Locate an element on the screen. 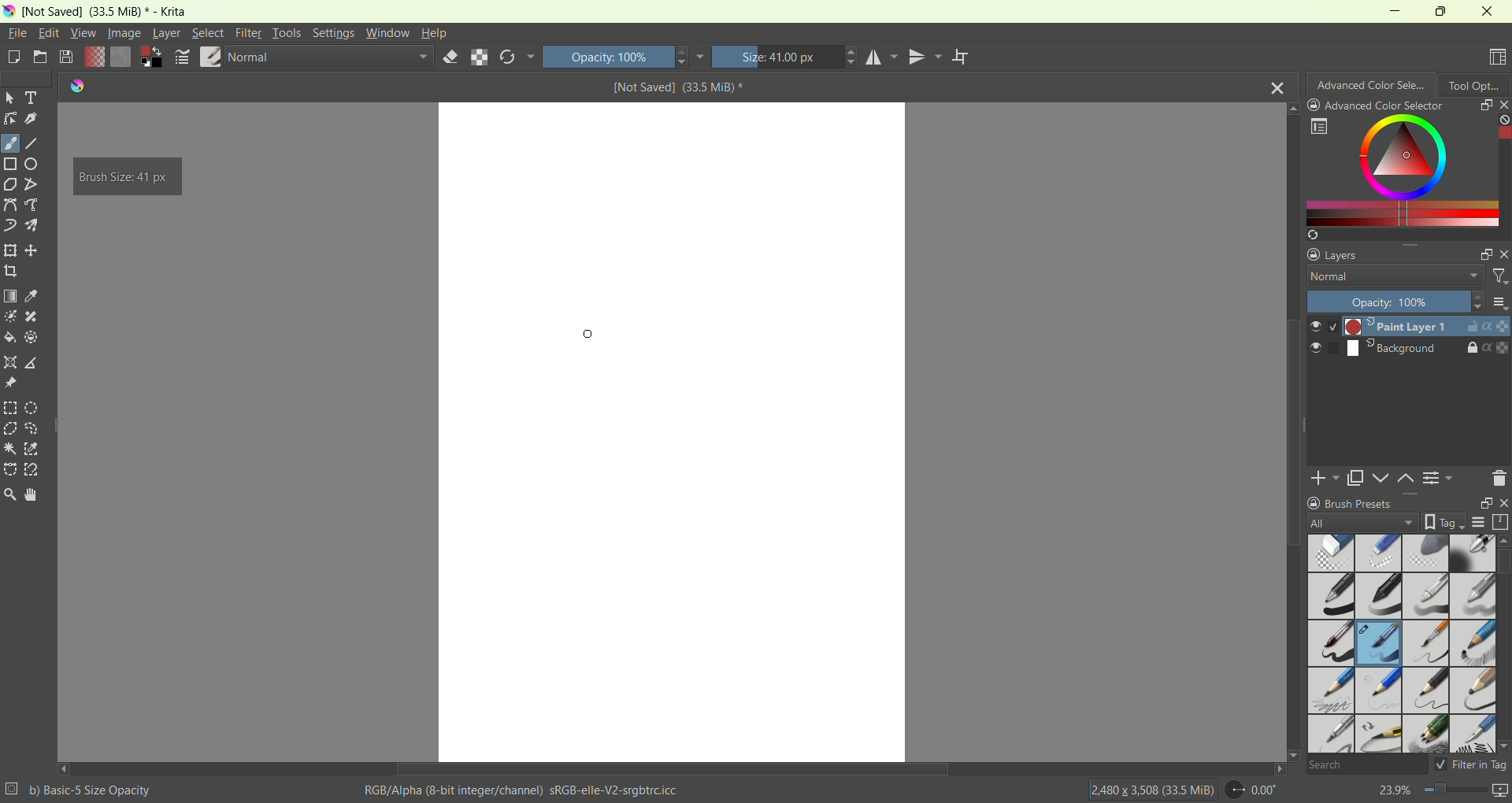 This screenshot has width=1512, height=803. 0.00" is located at coordinates (1254, 790).